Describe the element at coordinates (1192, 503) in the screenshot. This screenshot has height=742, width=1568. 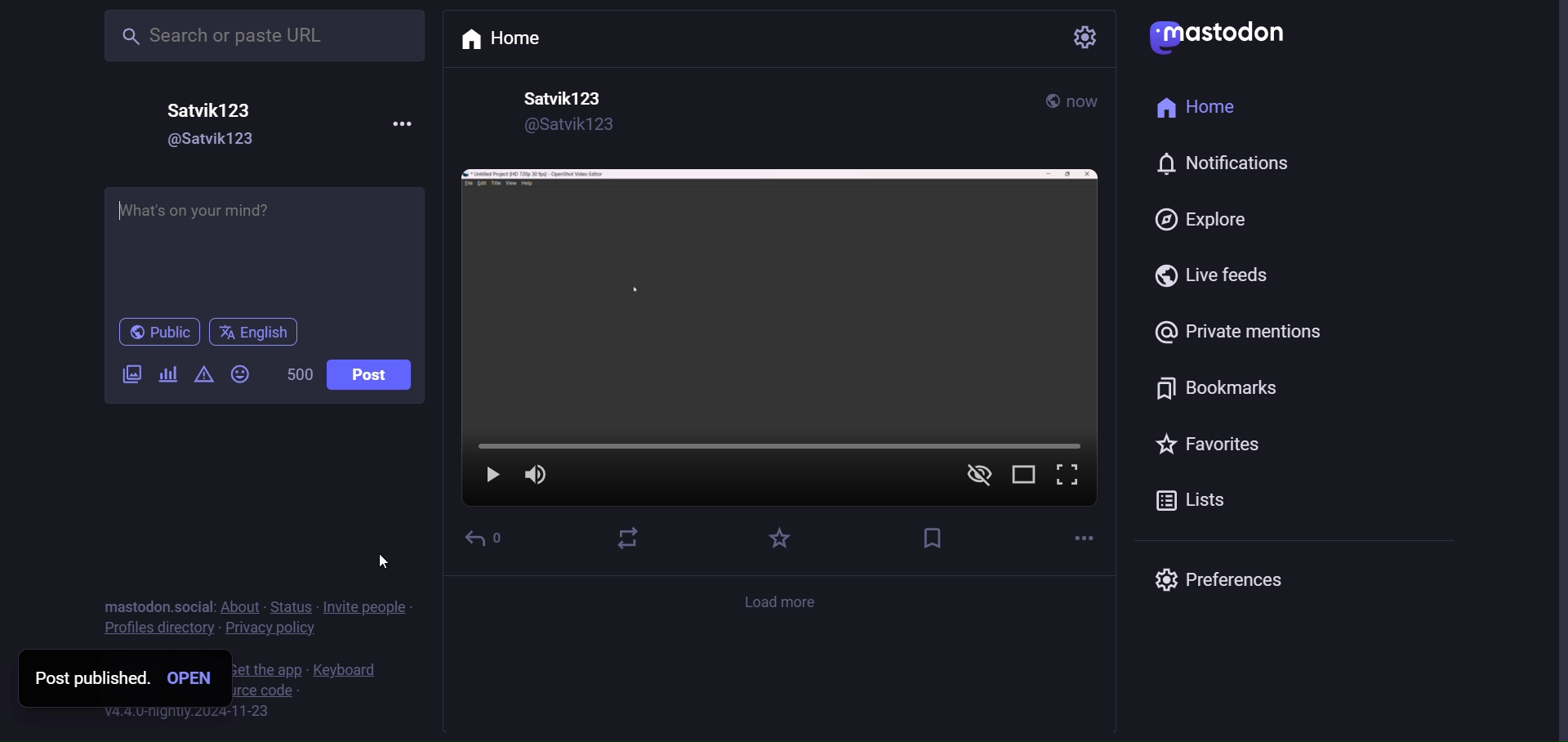
I see `lists` at that location.